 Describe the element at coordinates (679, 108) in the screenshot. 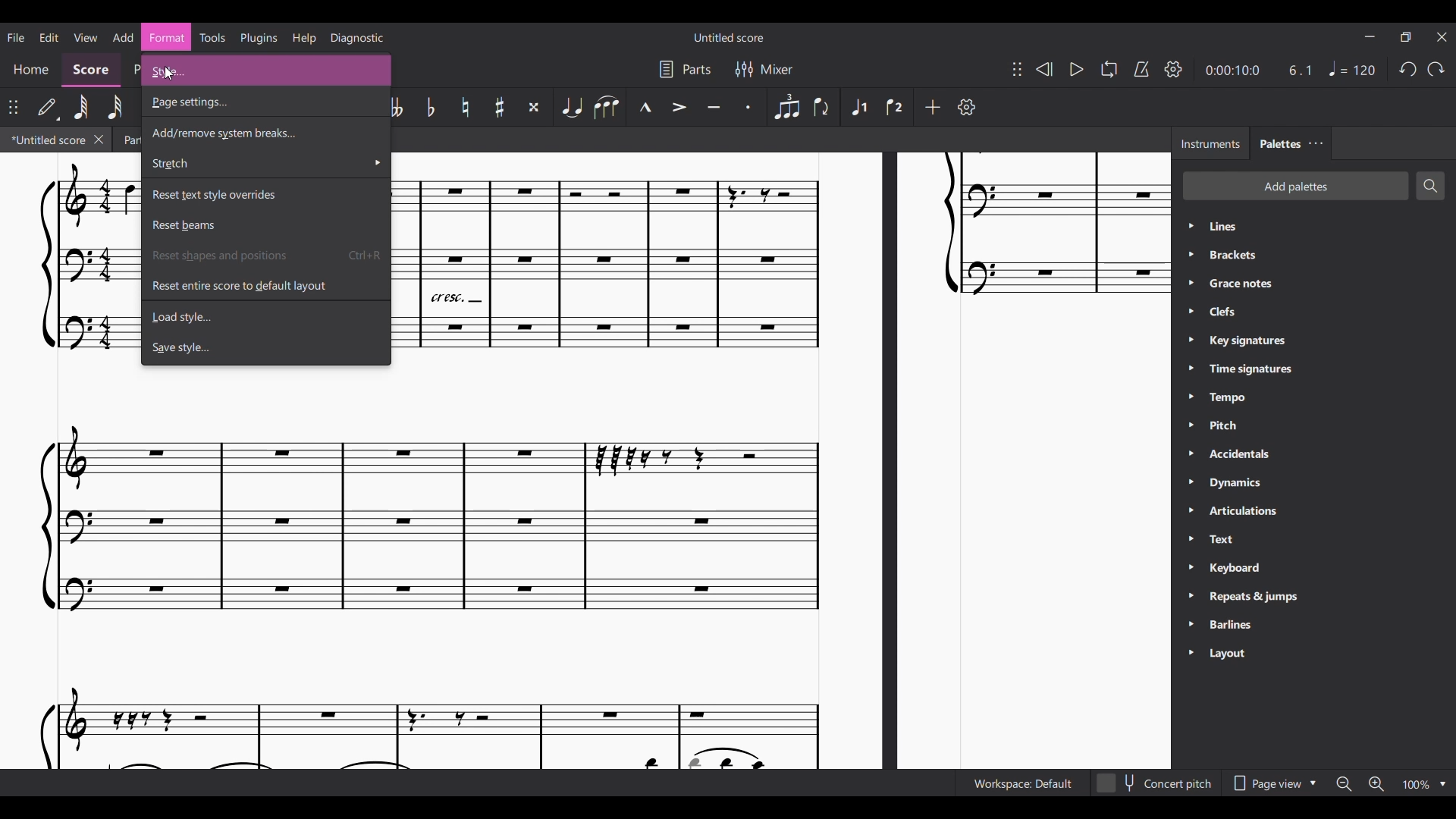

I see `Accent` at that location.